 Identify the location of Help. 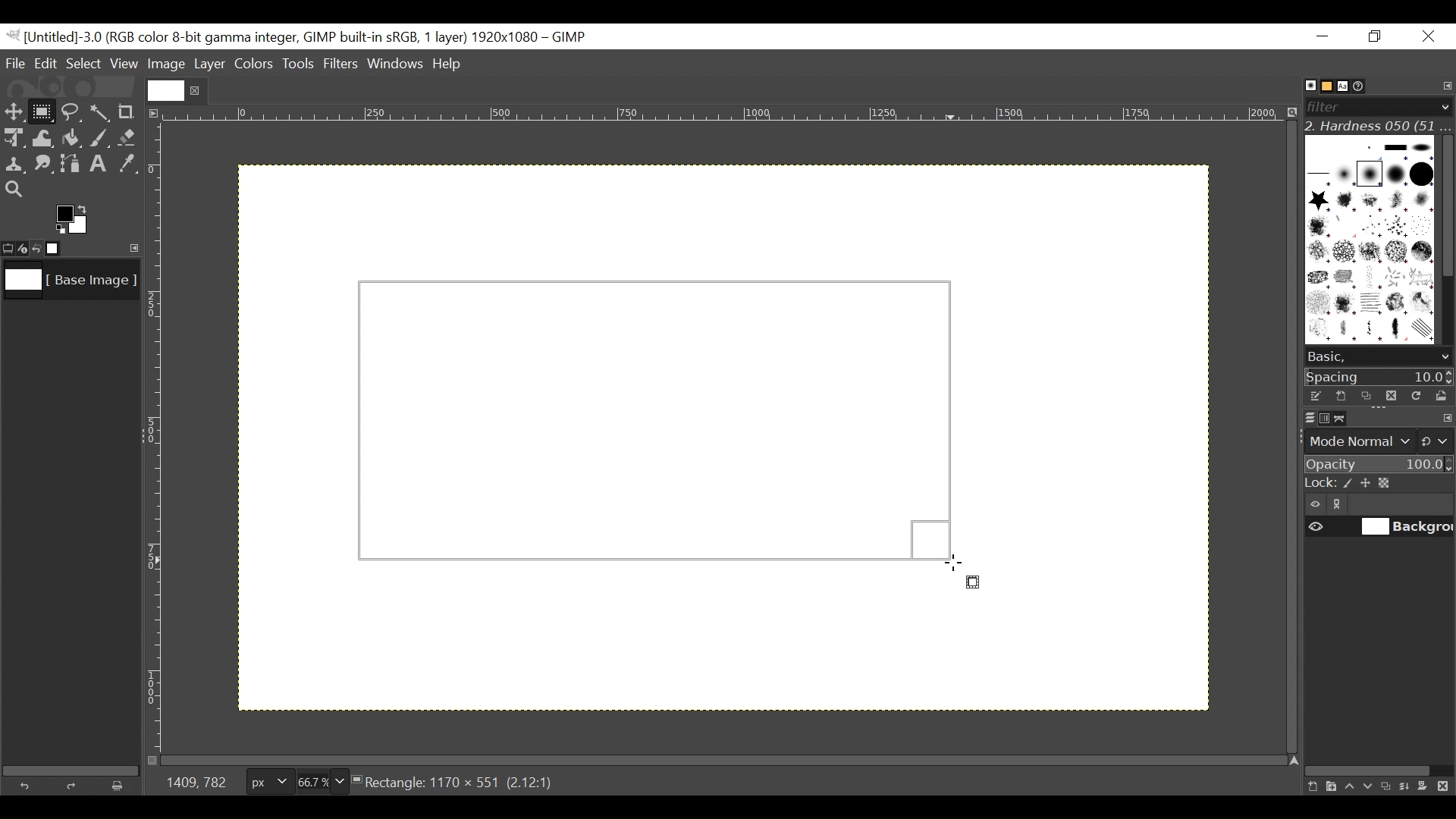
(450, 65).